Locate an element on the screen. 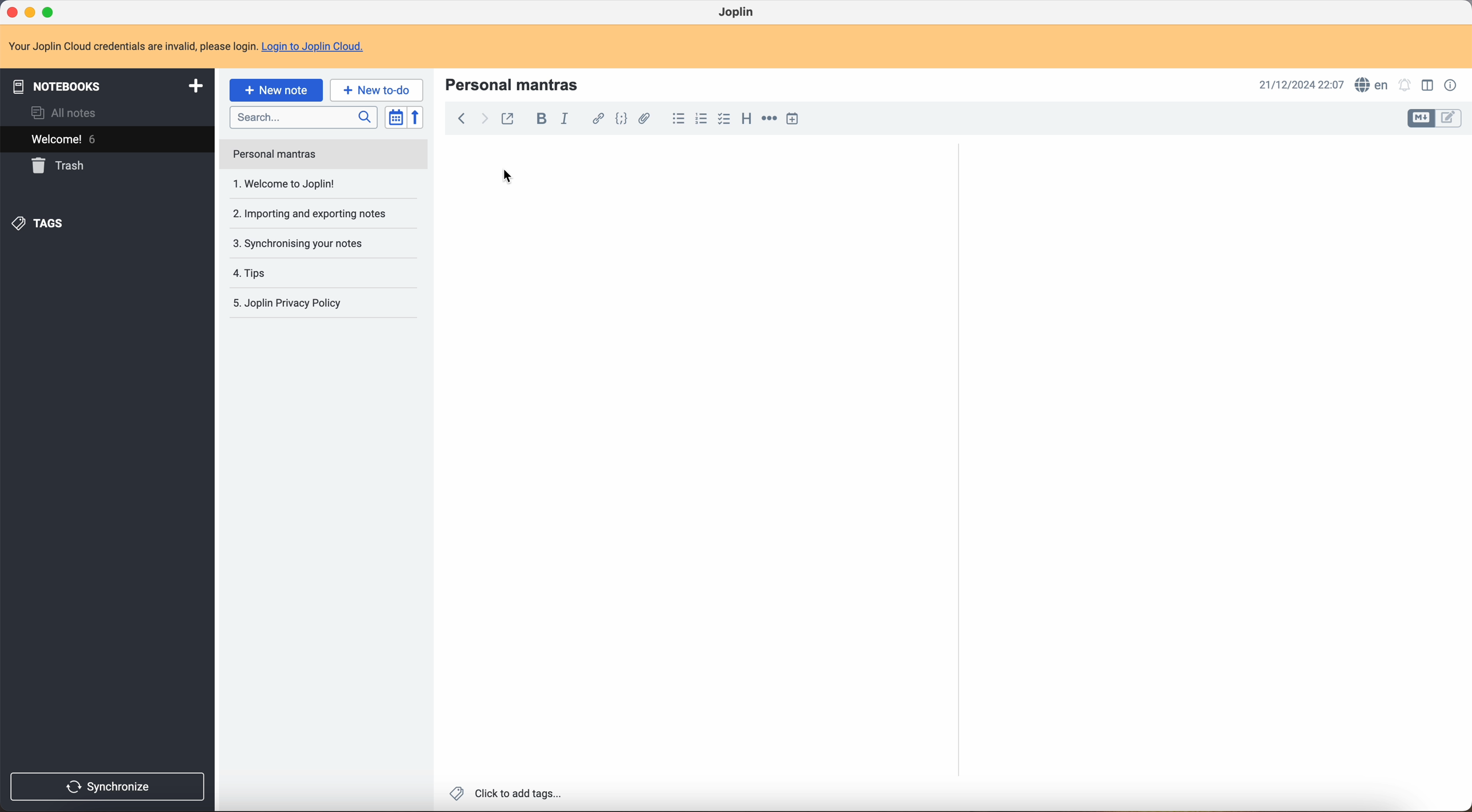 The width and height of the screenshot is (1472, 812). reverse sort order is located at coordinates (416, 118).